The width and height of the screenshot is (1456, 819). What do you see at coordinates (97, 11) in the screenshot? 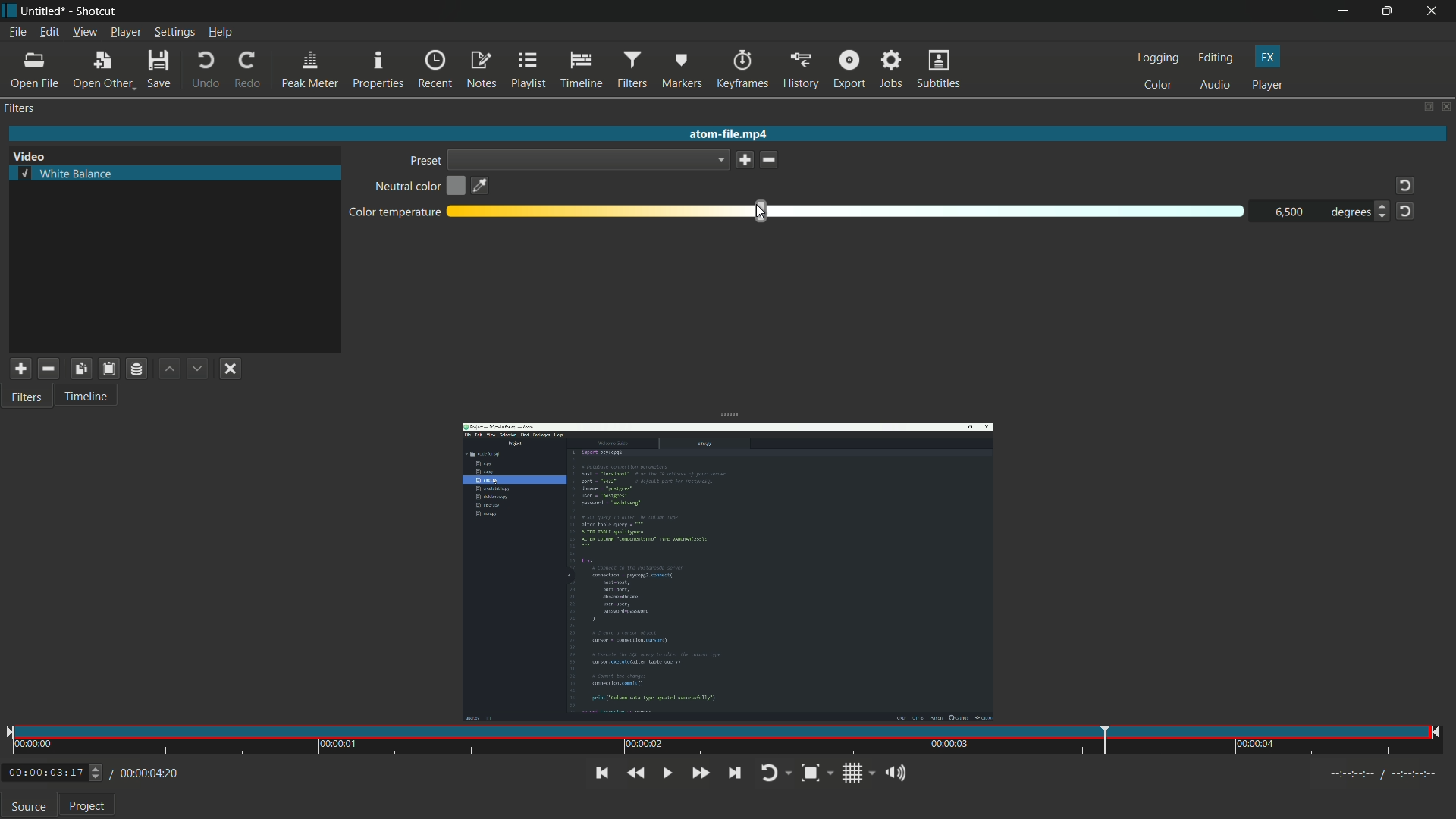
I see `shotcut` at bounding box center [97, 11].